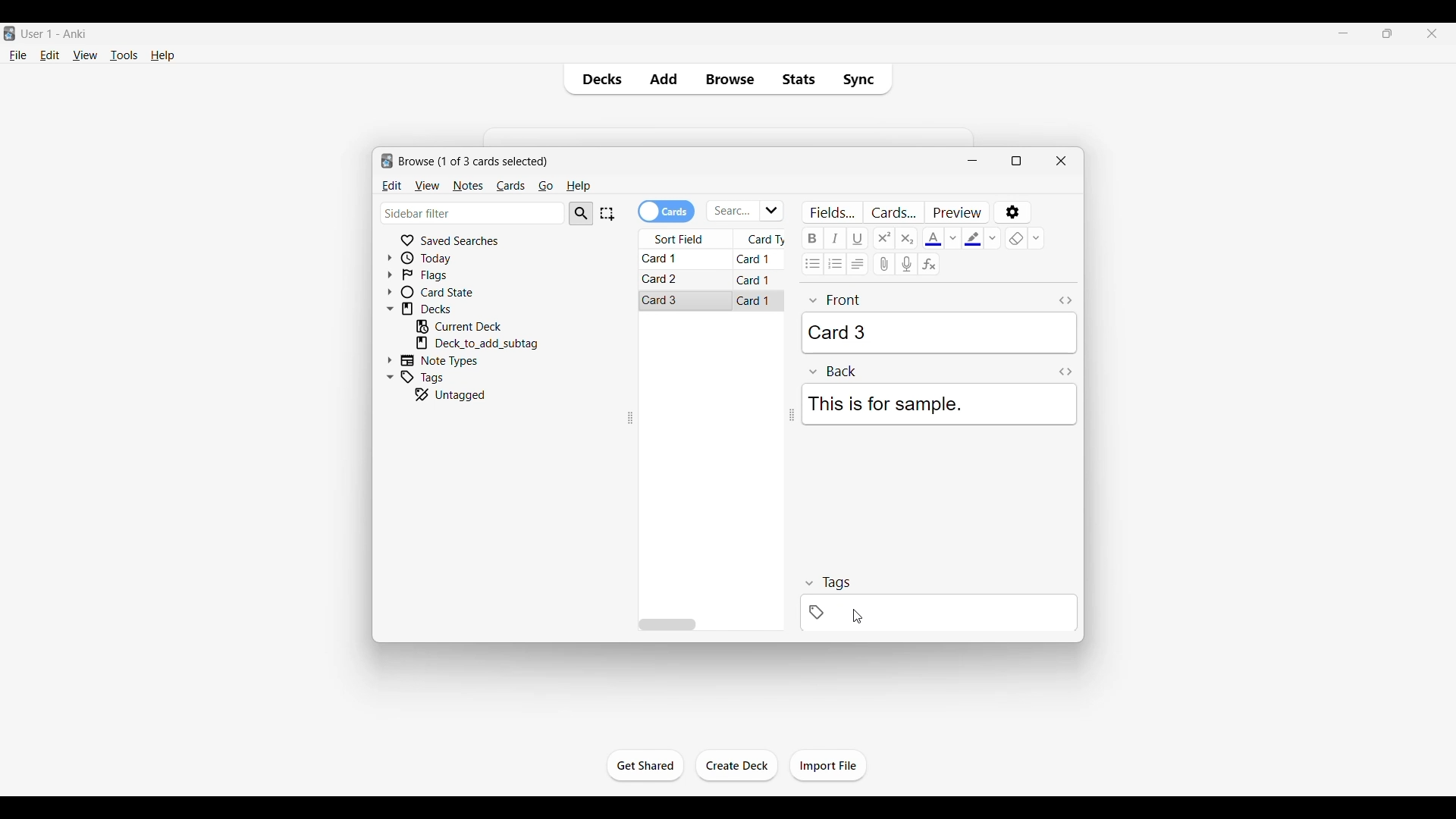 Image resolution: width=1456 pixels, height=819 pixels. Describe the element at coordinates (836, 300) in the screenshot. I see `front` at that location.